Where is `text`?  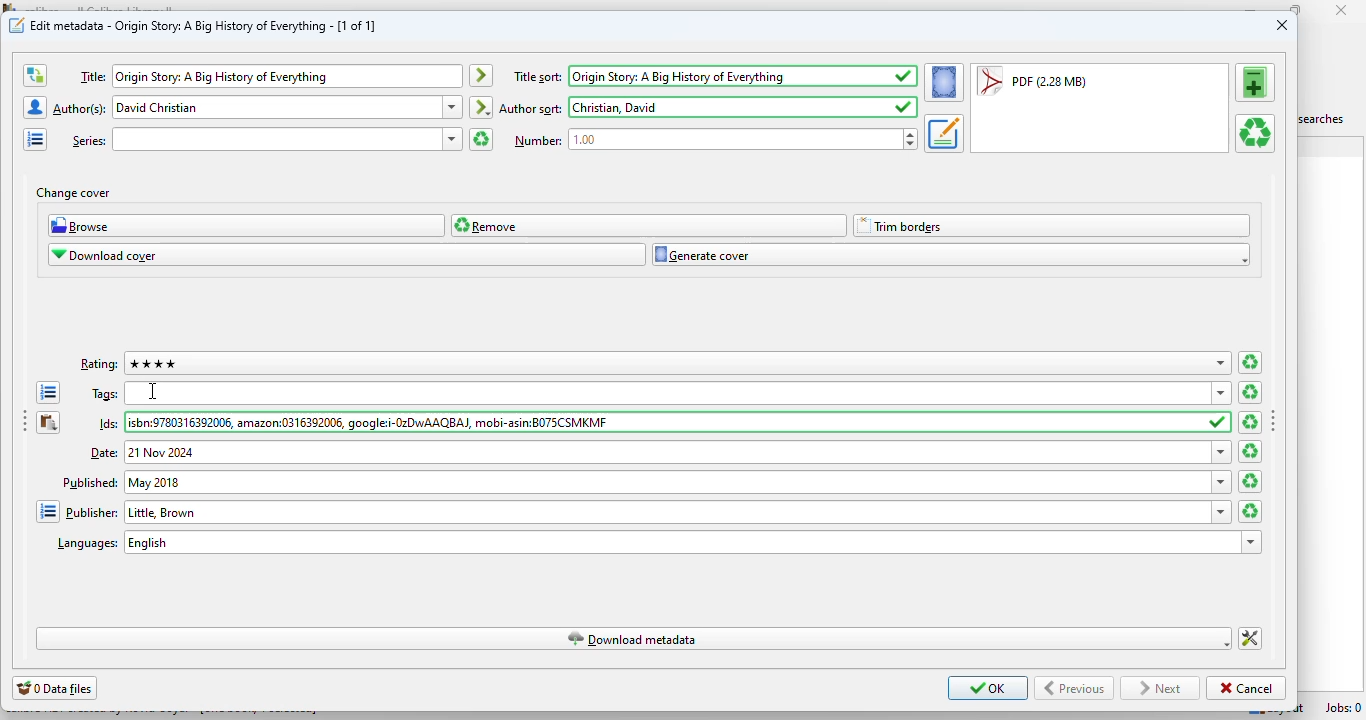 text is located at coordinates (531, 109).